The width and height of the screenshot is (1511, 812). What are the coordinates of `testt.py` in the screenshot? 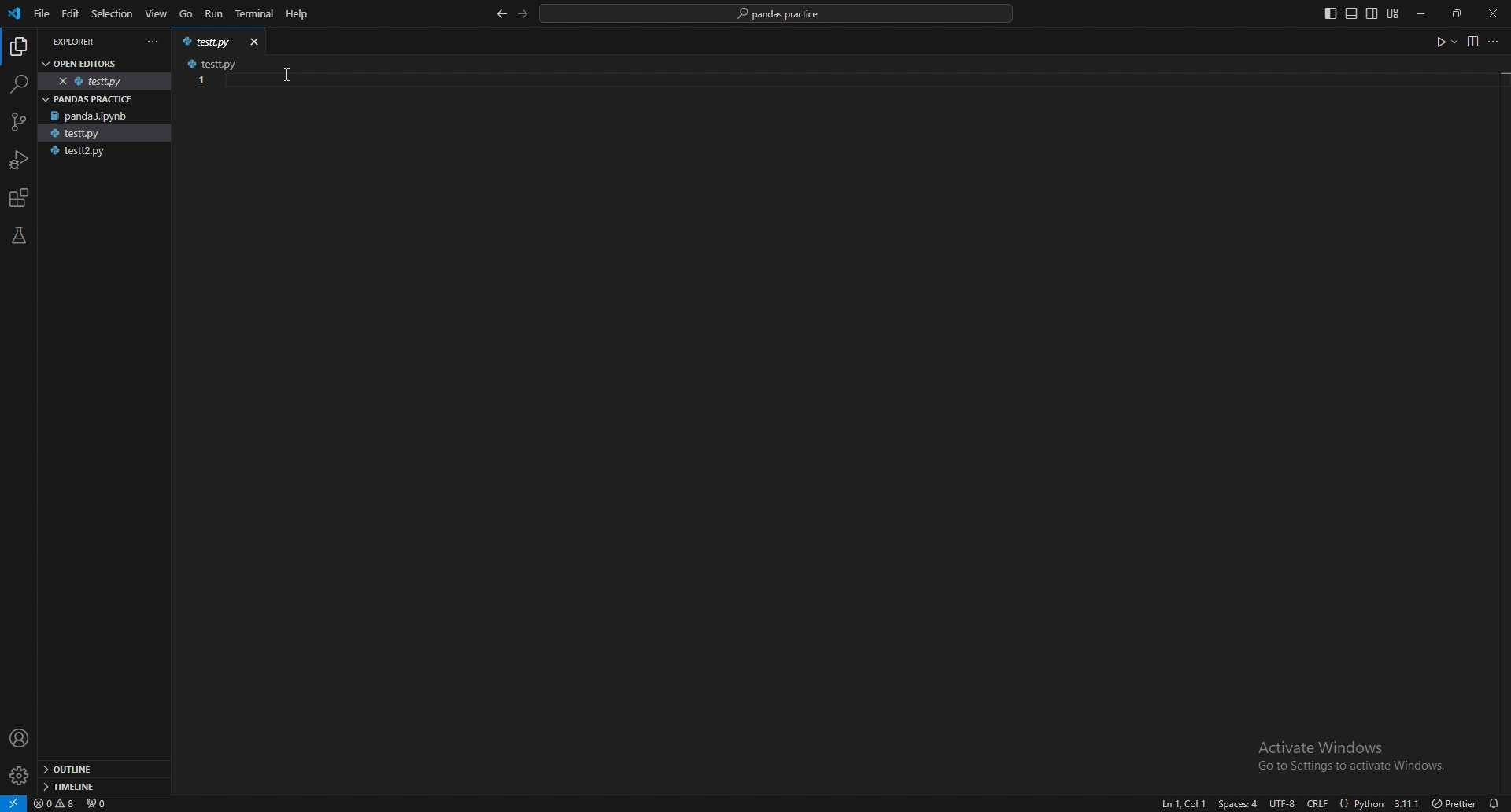 It's located at (212, 65).